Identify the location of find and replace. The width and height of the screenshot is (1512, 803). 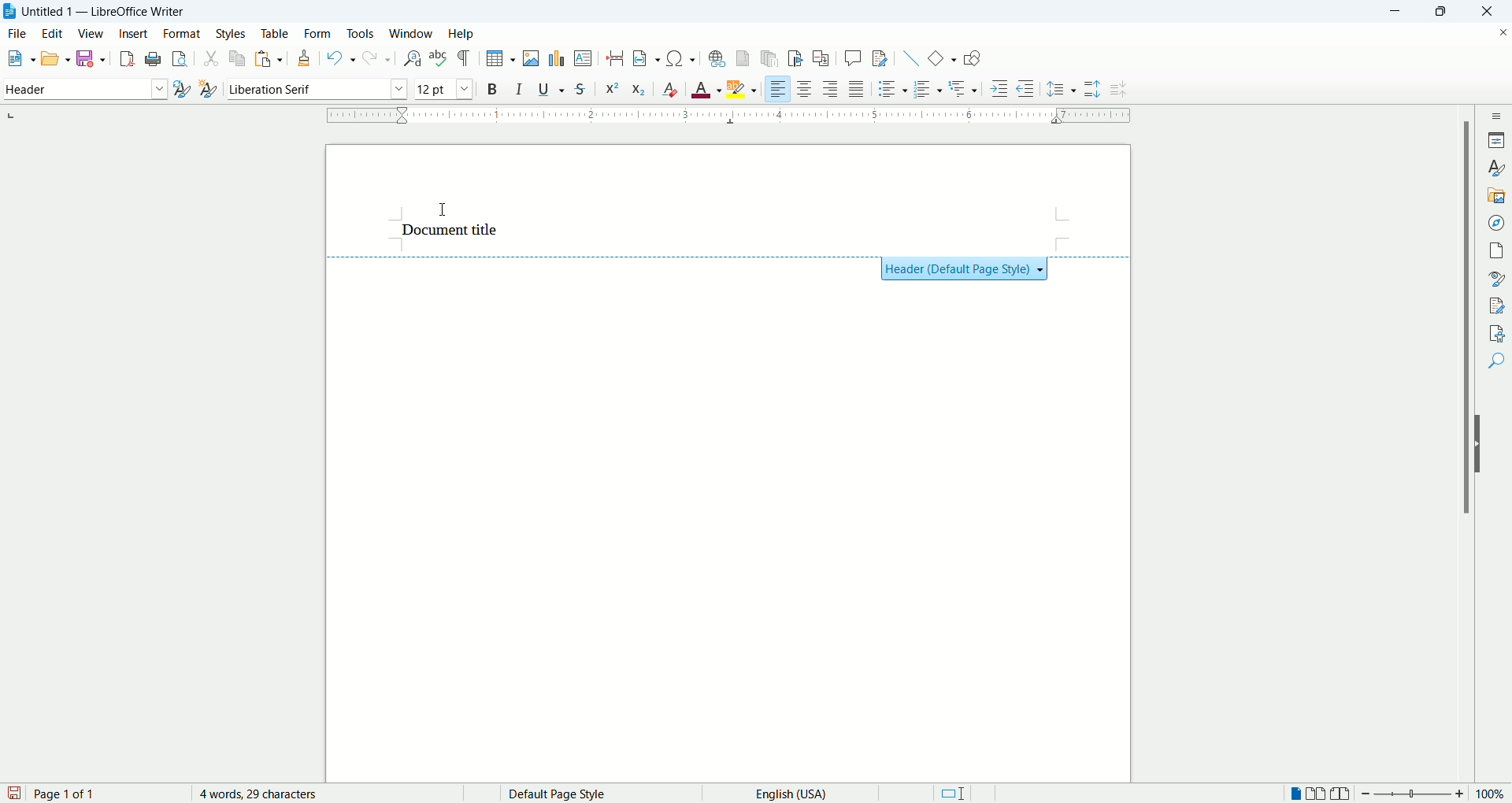
(412, 58).